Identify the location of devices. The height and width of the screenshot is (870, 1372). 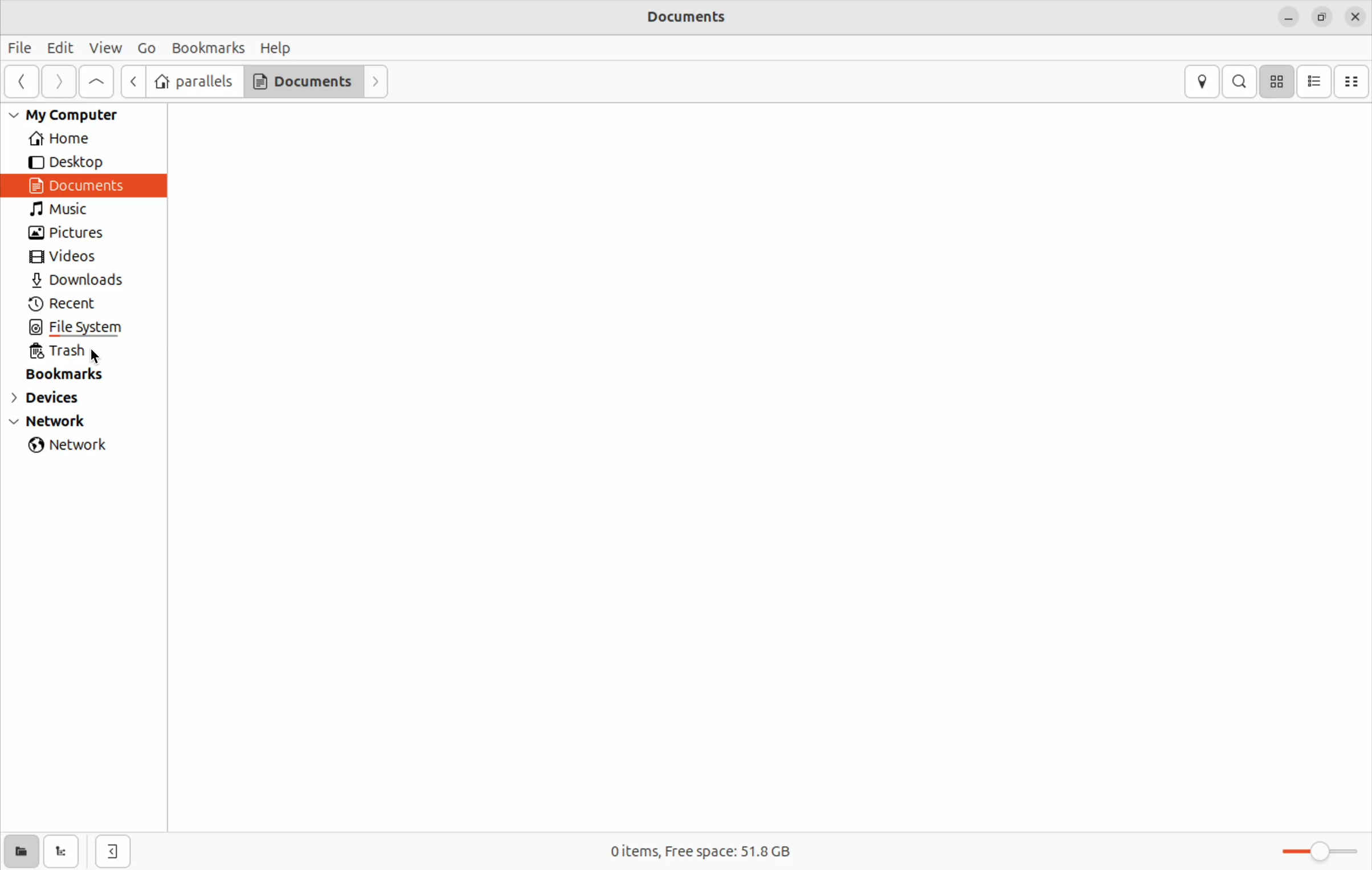
(58, 400).